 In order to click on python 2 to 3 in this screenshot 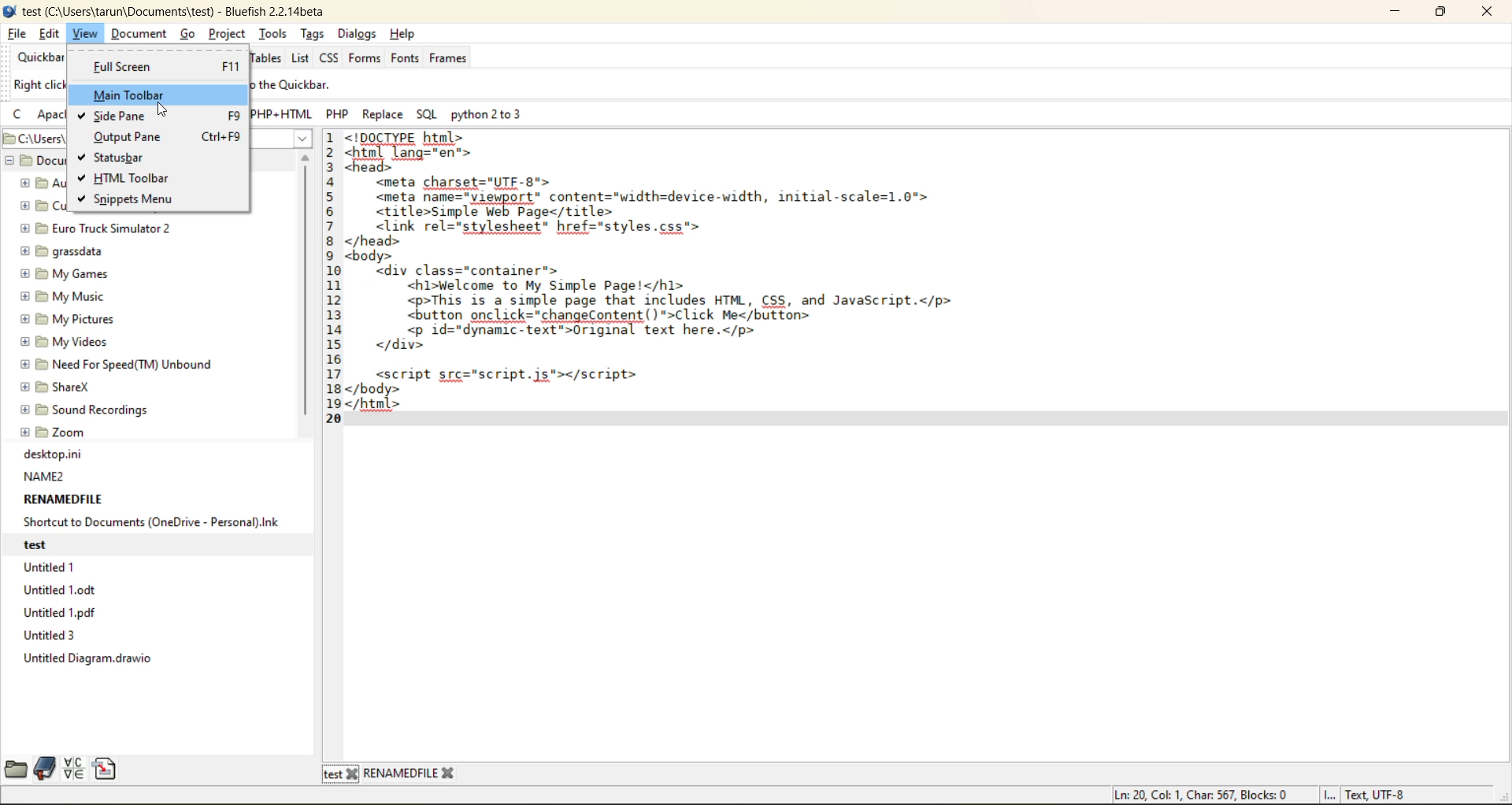, I will do `click(499, 117)`.